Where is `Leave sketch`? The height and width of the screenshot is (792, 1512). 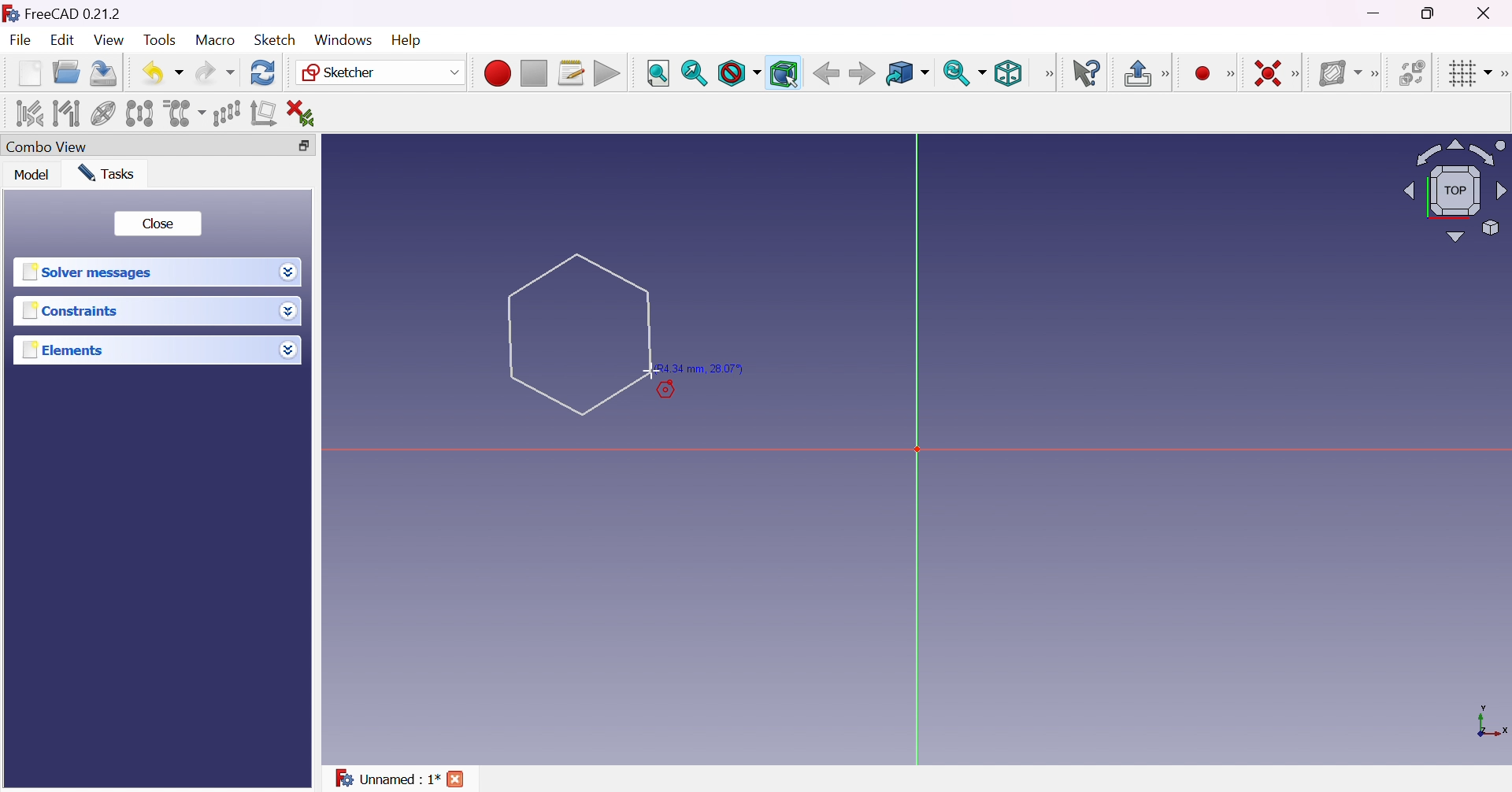
Leave sketch is located at coordinates (1136, 73).